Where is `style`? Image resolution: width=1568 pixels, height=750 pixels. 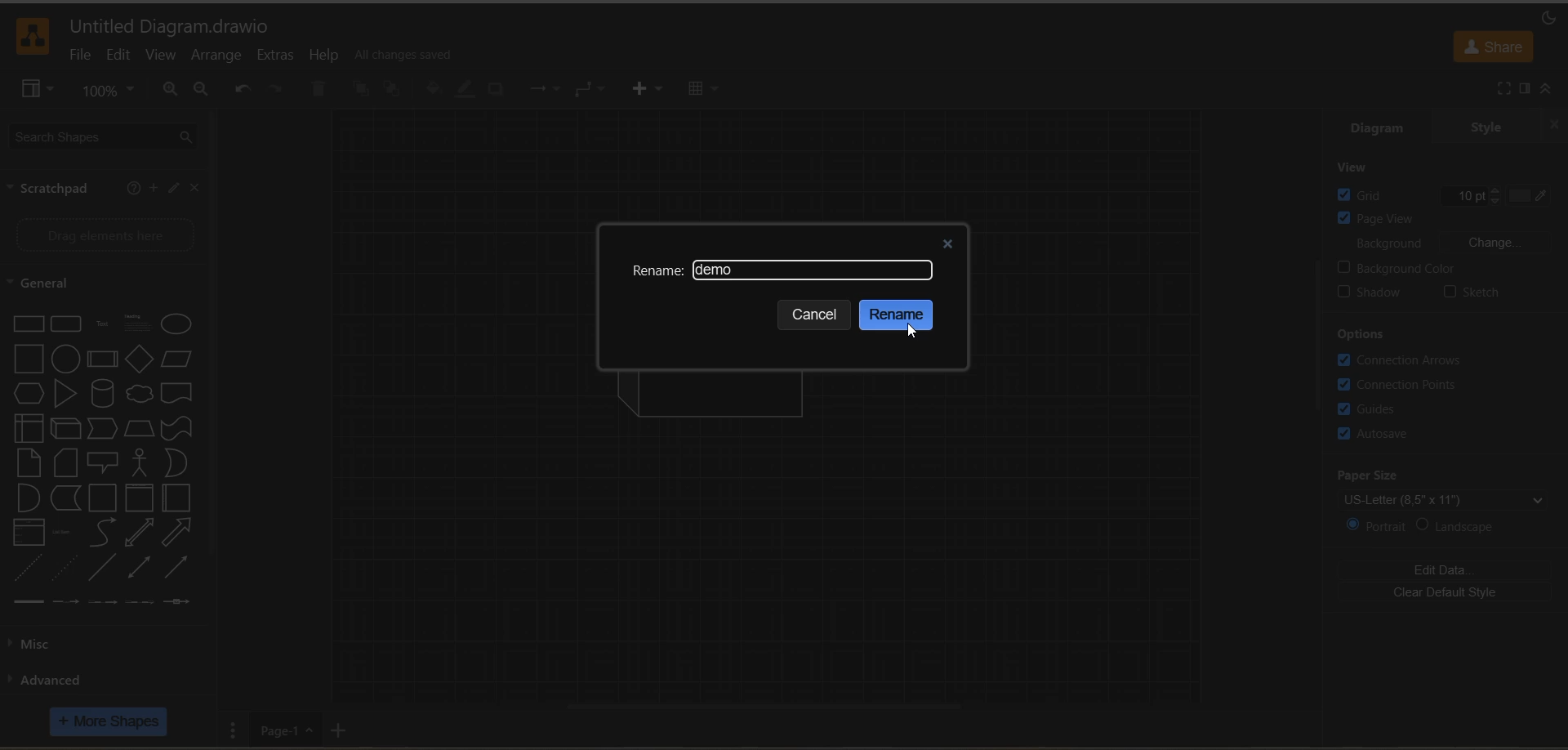
style is located at coordinates (1484, 128).